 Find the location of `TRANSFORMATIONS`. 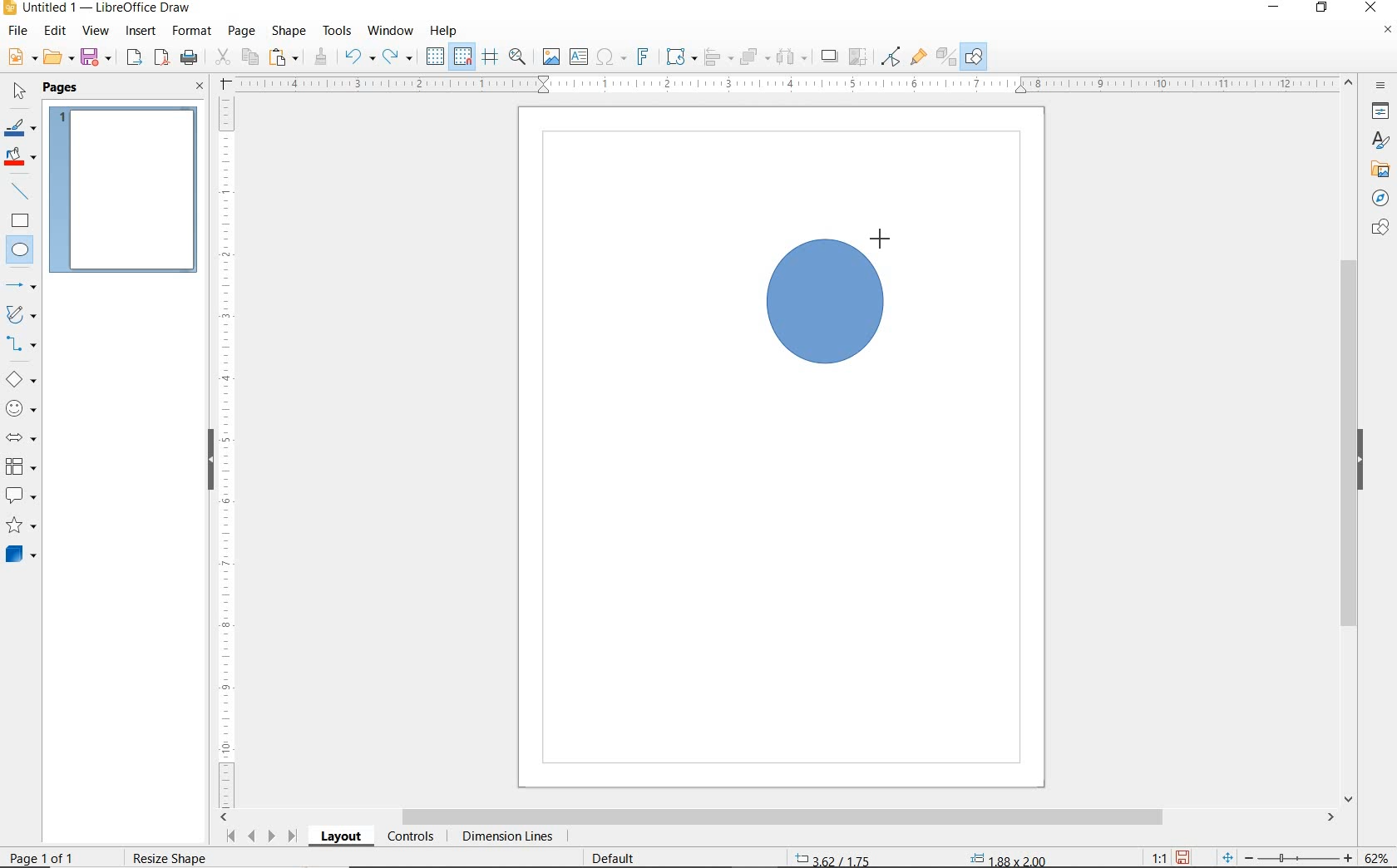

TRANSFORMATIONS is located at coordinates (679, 57).